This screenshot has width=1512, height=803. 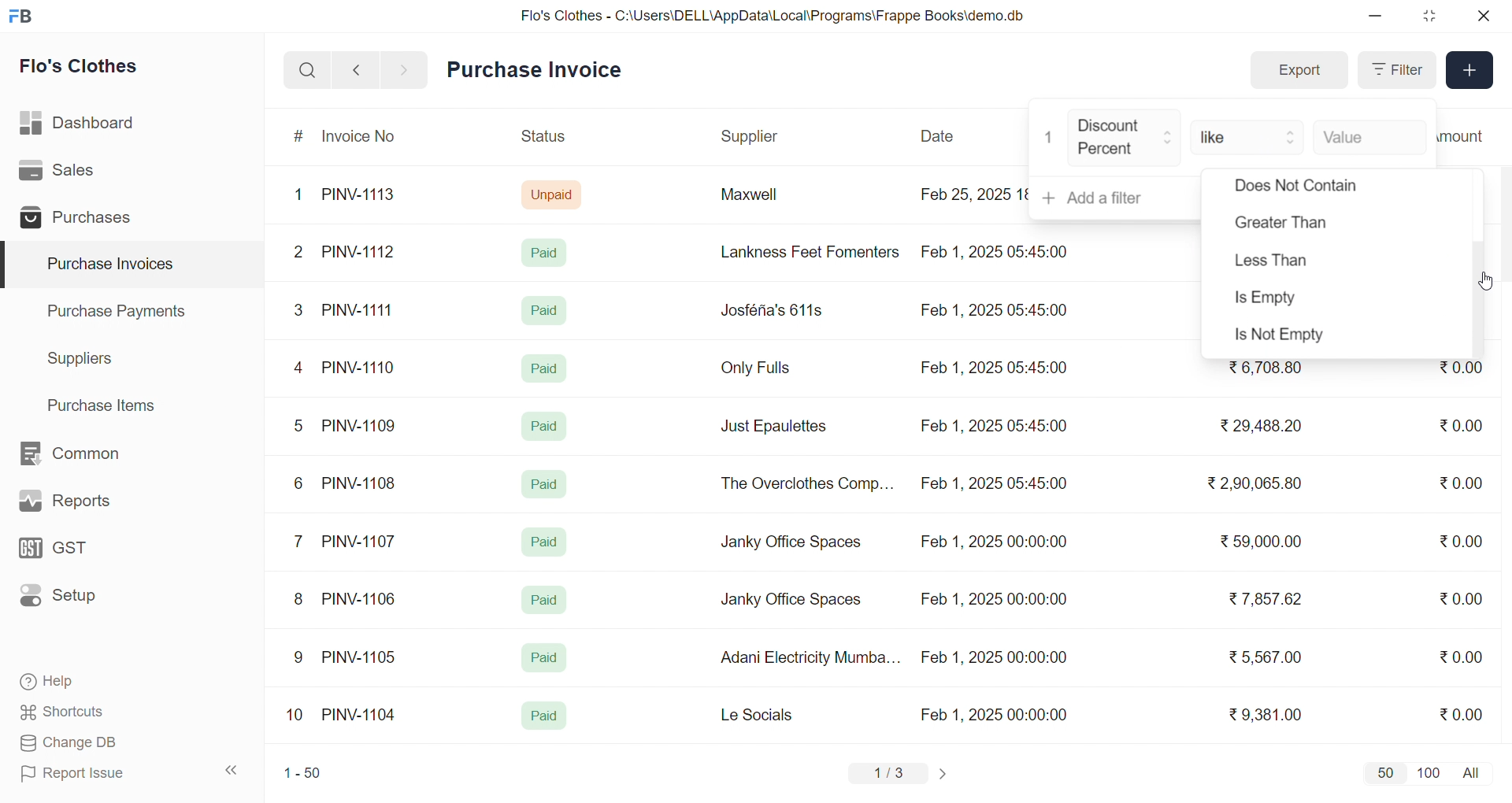 What do you see at coordinates (539, 70) in the screenshot?
I see `Purchase Invoice` at bounding box center [539, 70].